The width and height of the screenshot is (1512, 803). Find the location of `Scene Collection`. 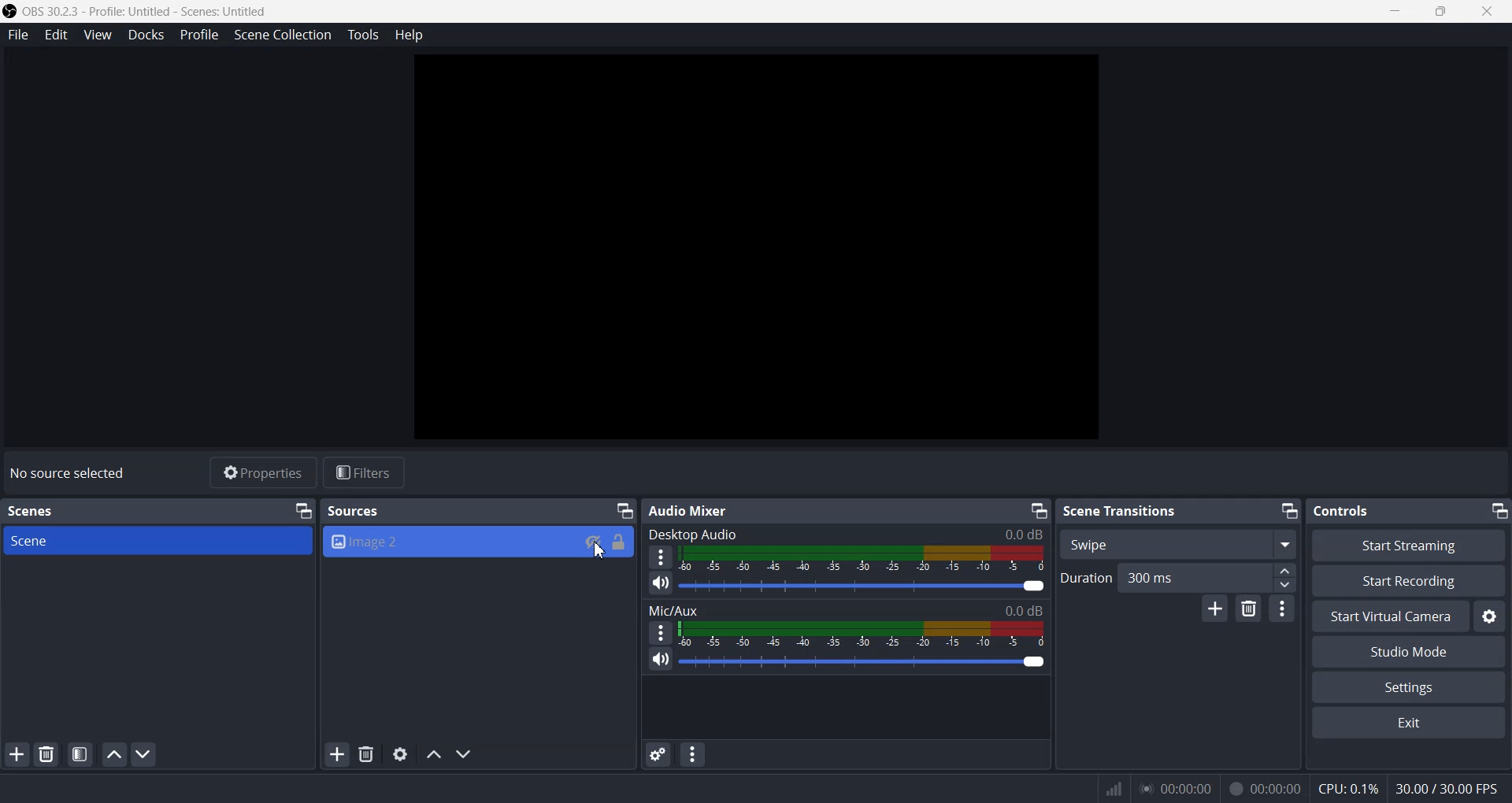

Scene Collection is located at coordinates (281, 35).